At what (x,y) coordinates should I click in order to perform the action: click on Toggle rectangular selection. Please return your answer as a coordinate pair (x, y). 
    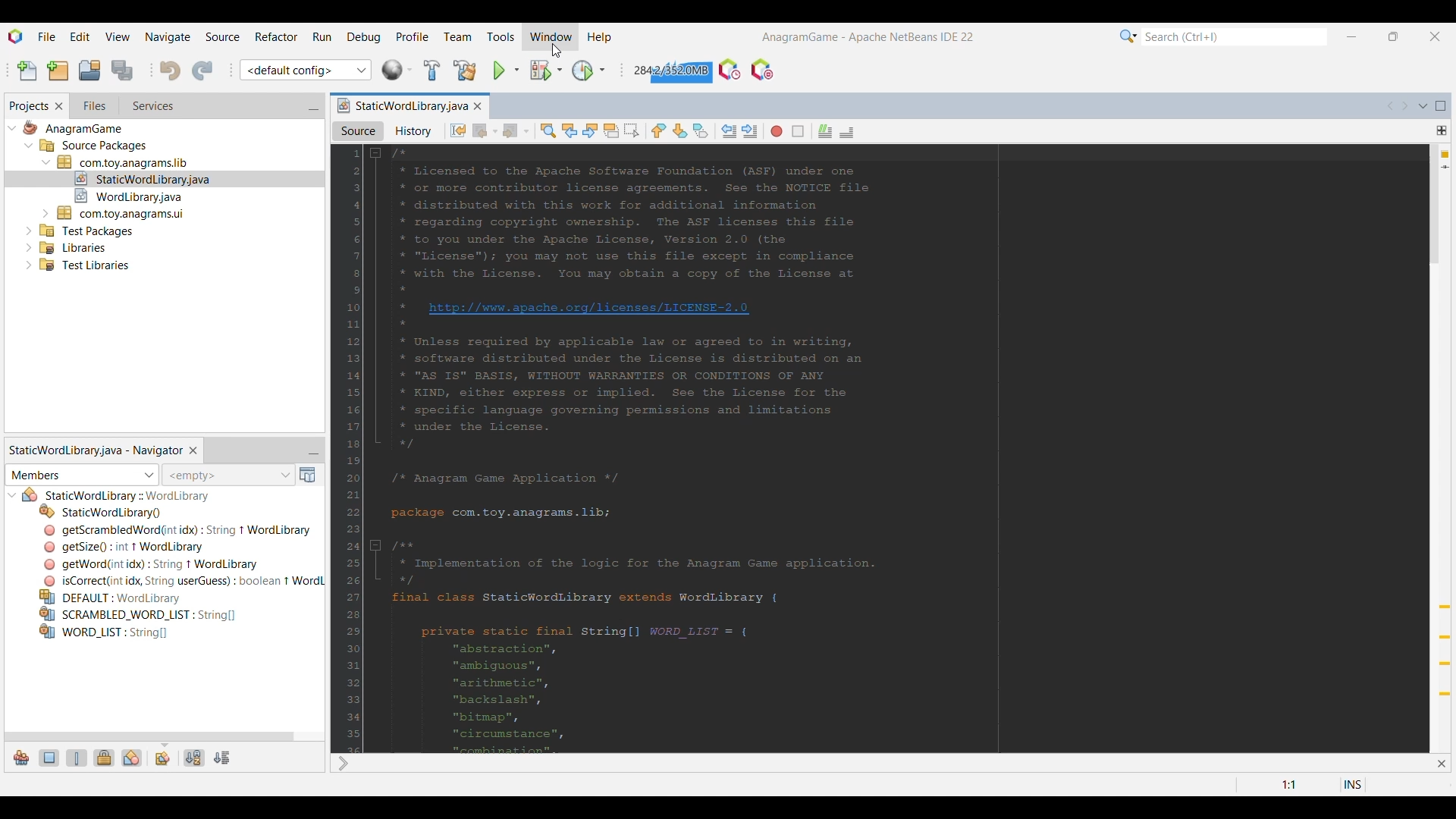
    Looking at the image, I should click on (632, 130).